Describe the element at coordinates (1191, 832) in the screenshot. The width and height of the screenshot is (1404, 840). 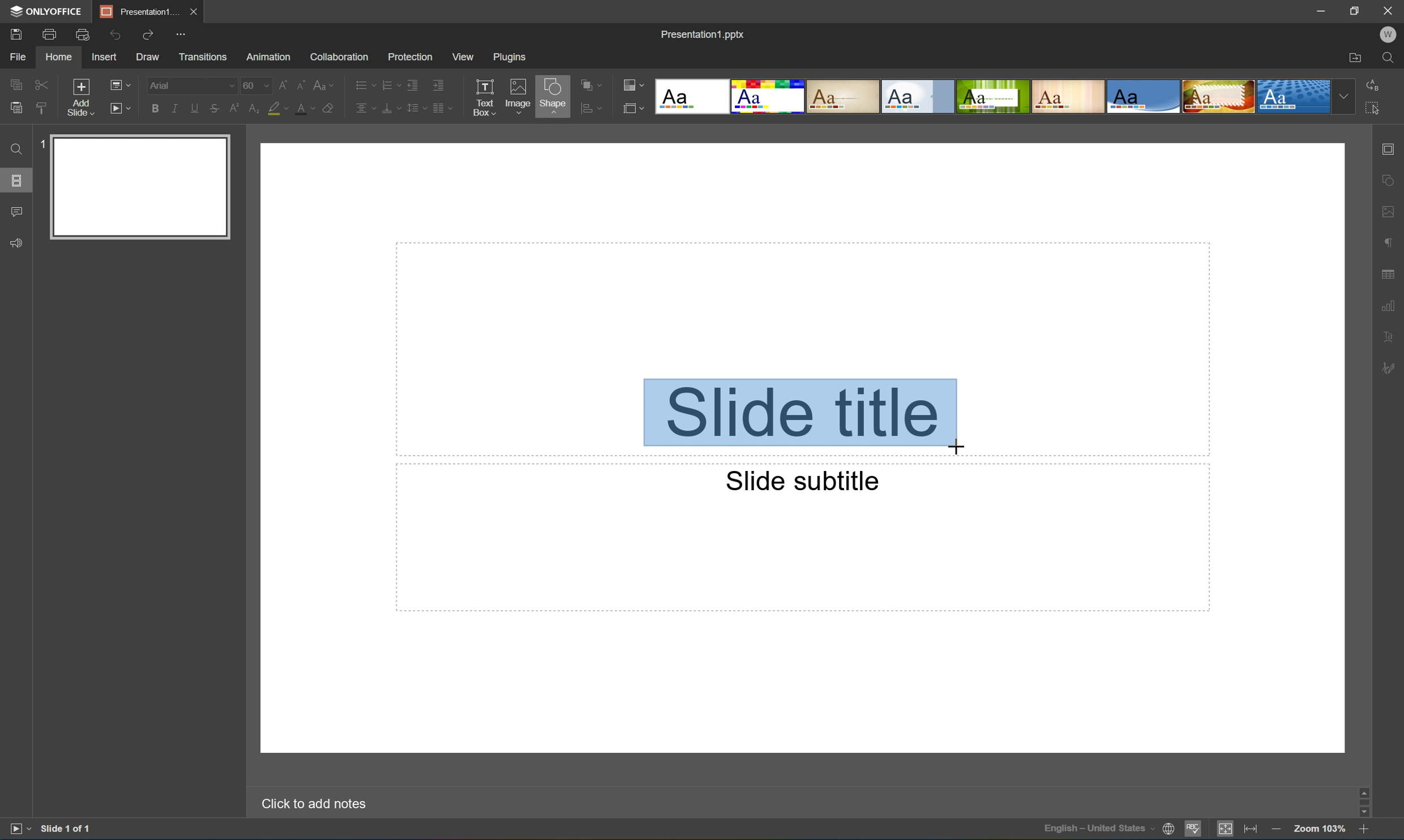
I see `Spell checking` at that location.